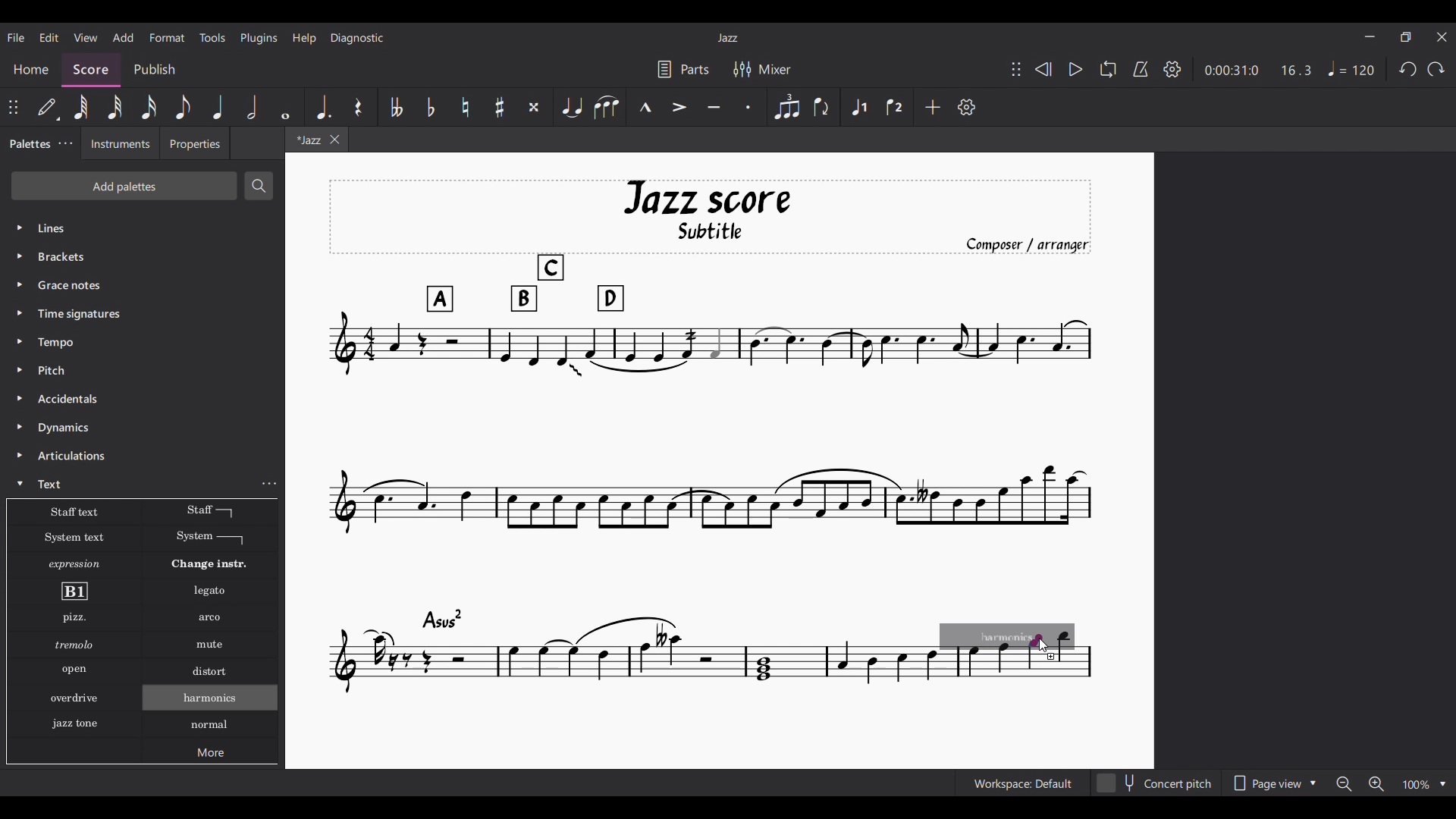  Describe the element at coordinates (572, 107) in the screenshot. I see `Tie` at that location.